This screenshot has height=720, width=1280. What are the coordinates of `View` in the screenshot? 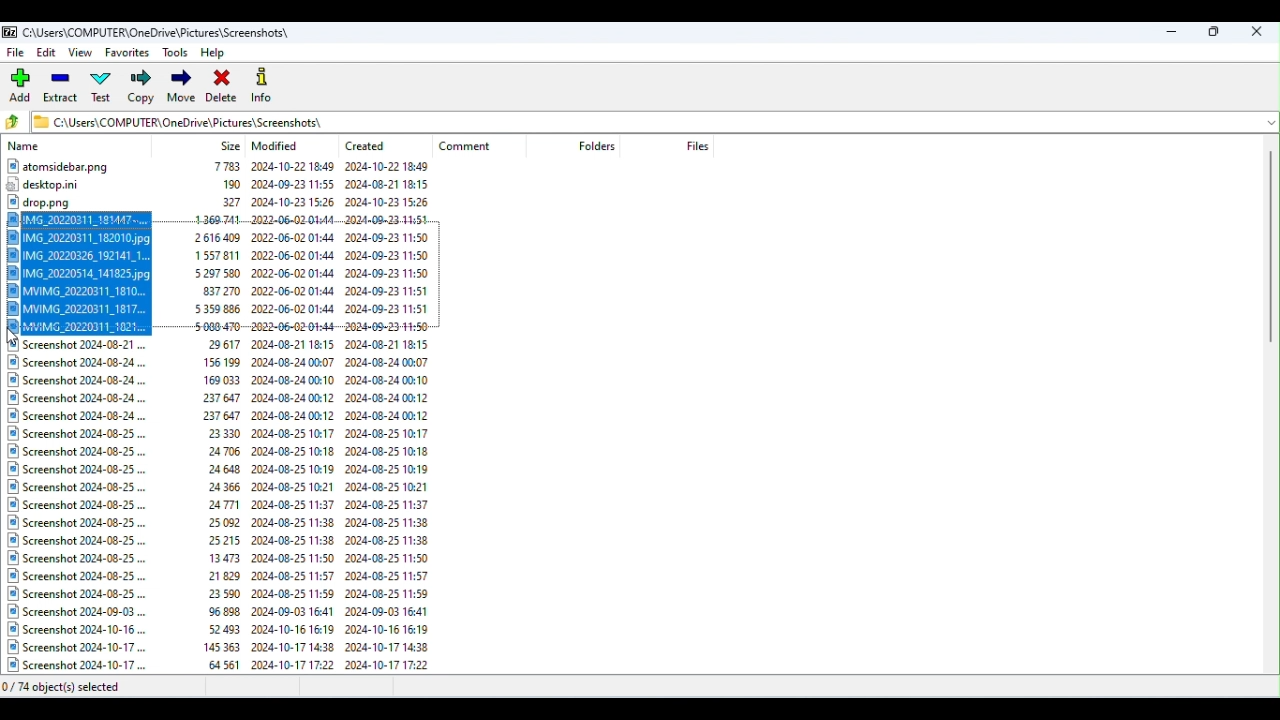 It's located at (83, 54).